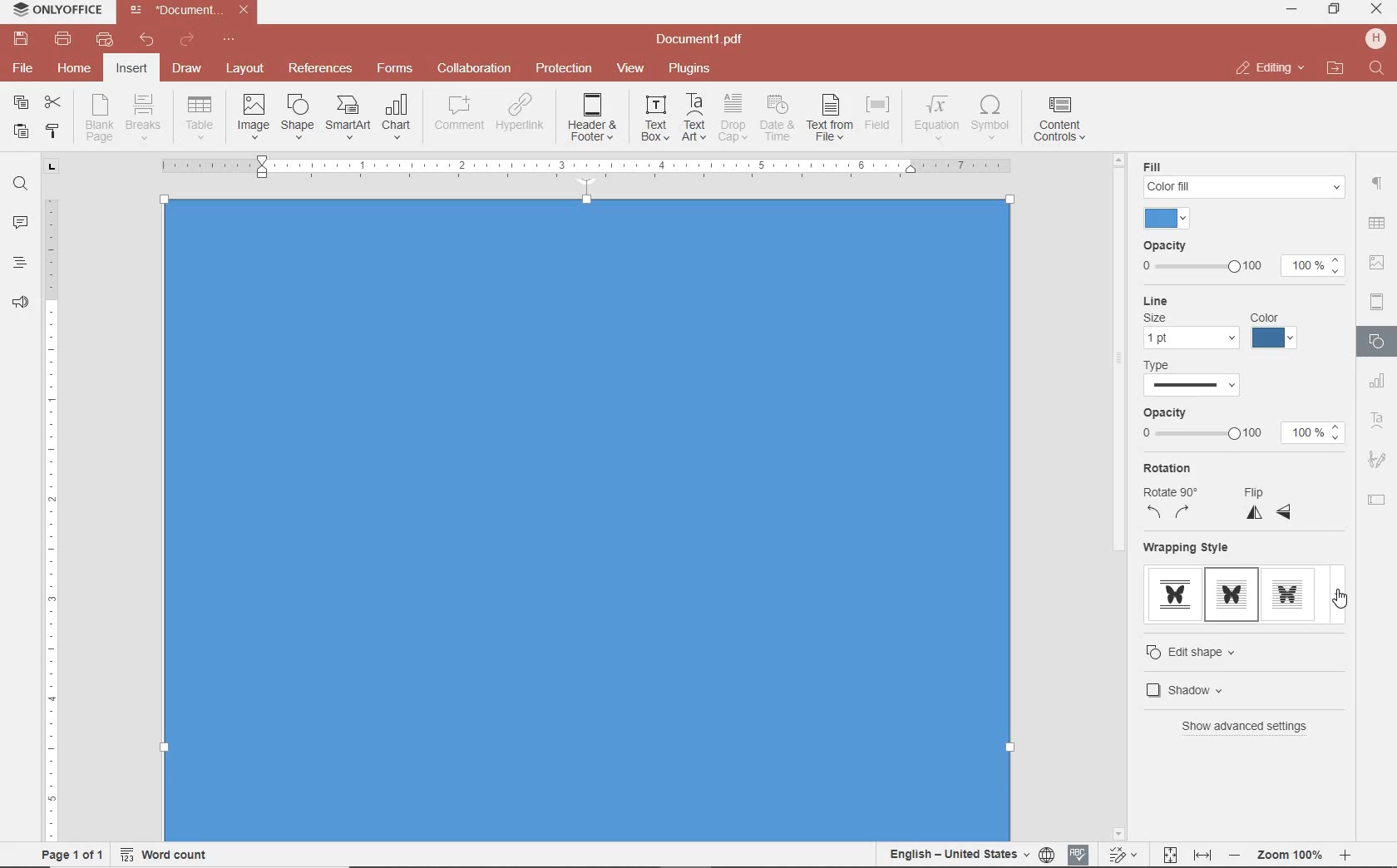  I want to click on SHADOW, so click(1188, 692).